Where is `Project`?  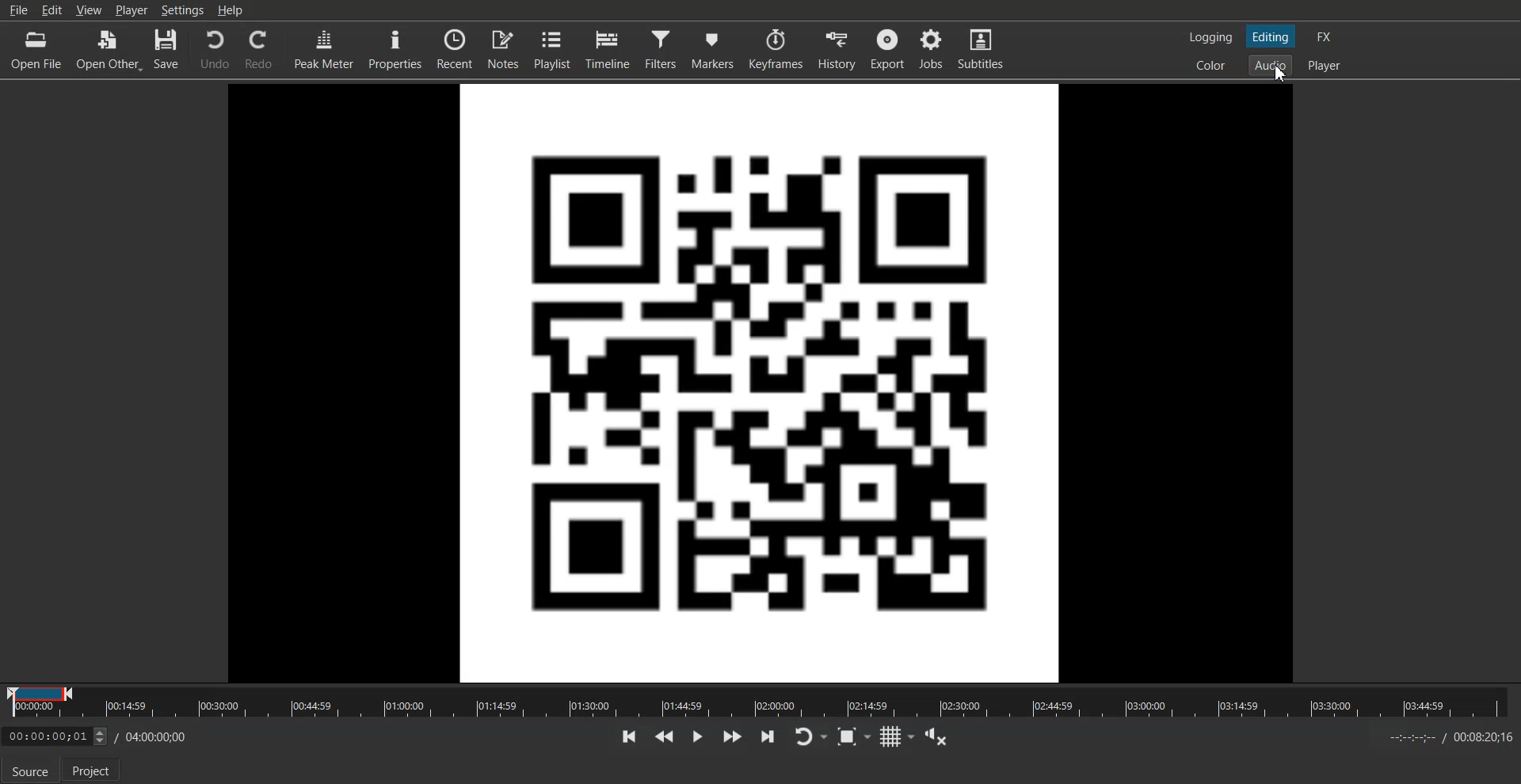 Project is located at coordinates (93, 770).